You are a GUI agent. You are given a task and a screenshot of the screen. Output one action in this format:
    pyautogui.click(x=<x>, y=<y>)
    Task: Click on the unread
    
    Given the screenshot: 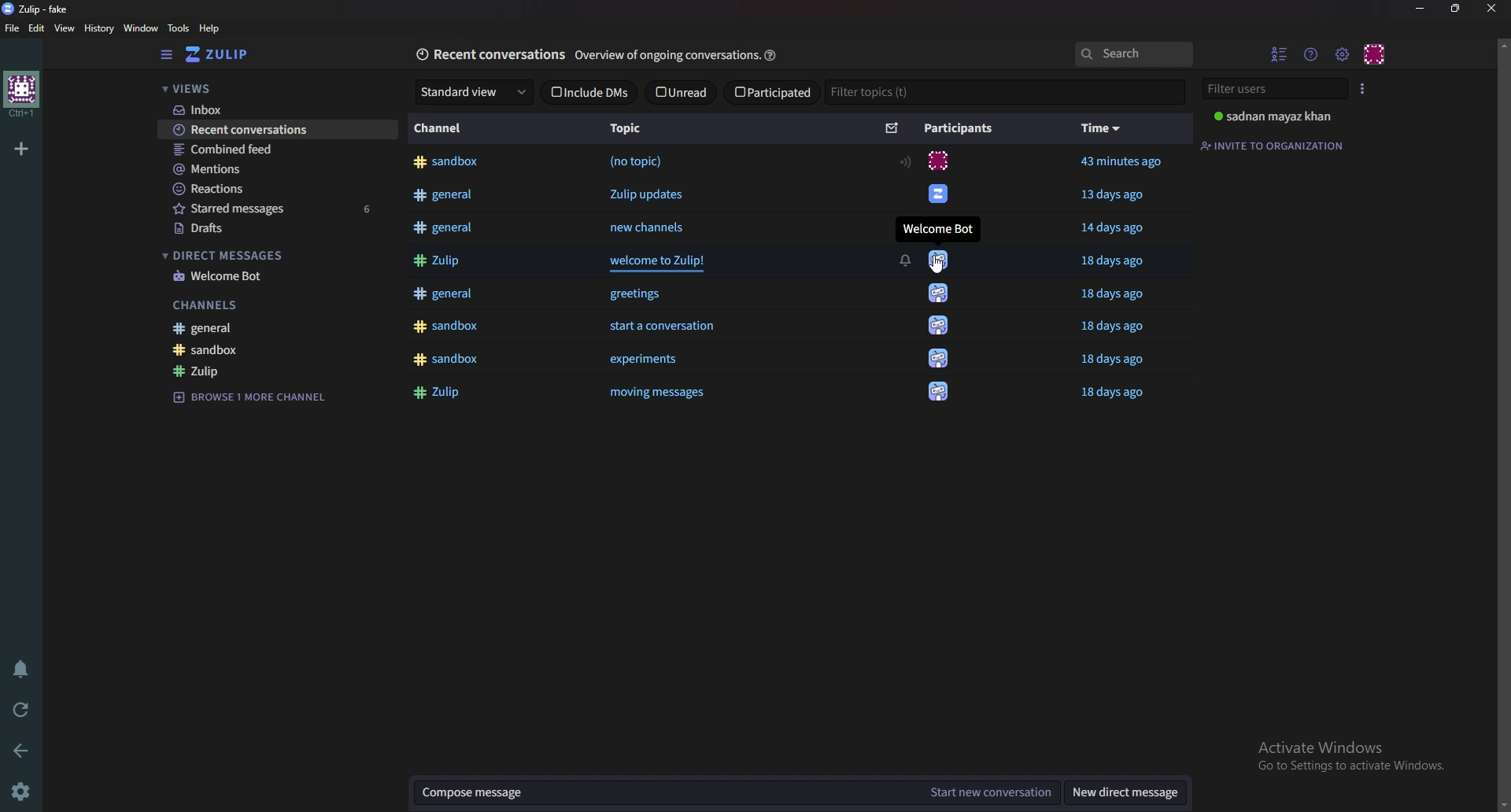 What is the action you would take?
    pyautogui.click(x=685, y=91)
    